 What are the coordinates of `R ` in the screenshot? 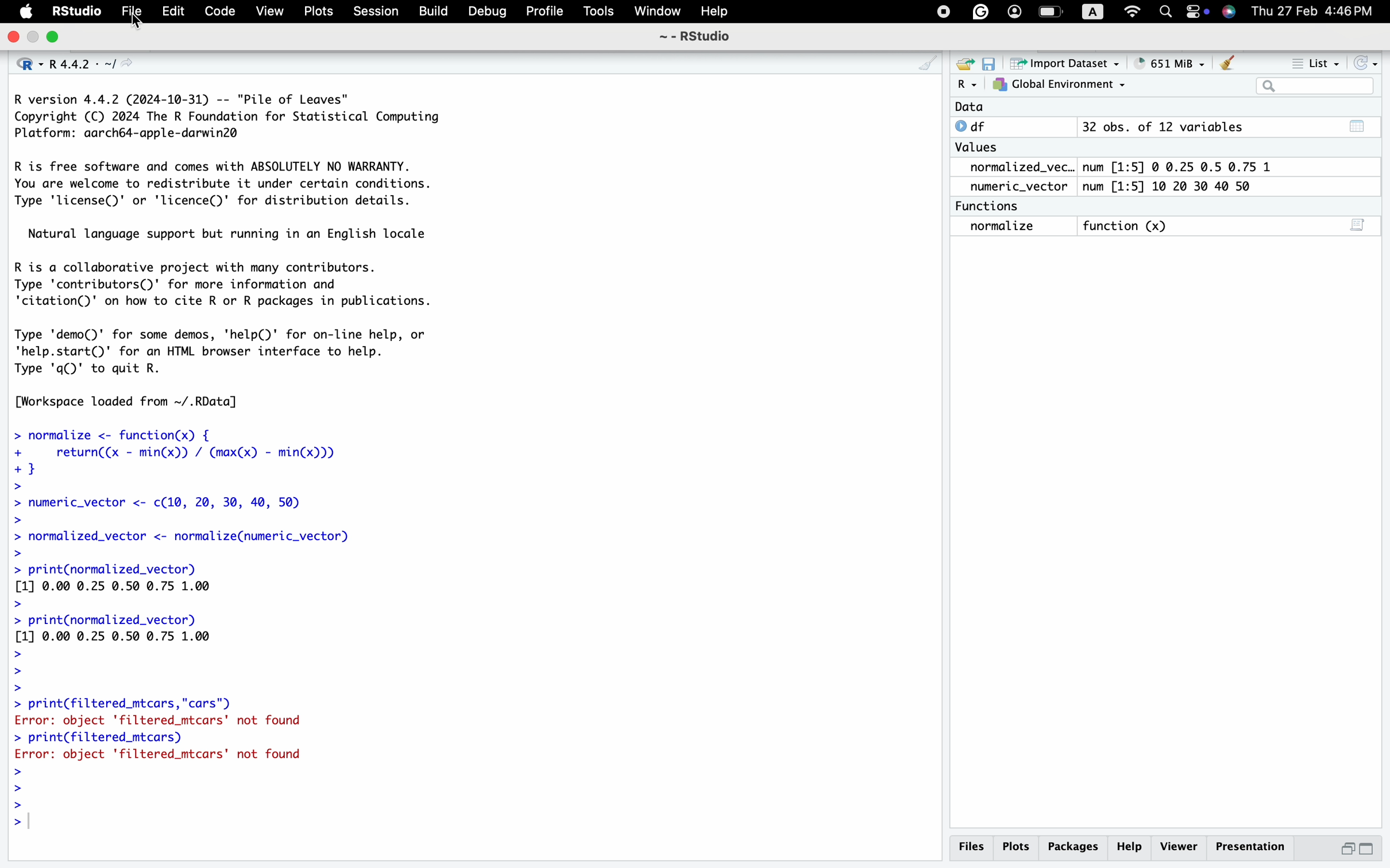 It's located at (967, 84).